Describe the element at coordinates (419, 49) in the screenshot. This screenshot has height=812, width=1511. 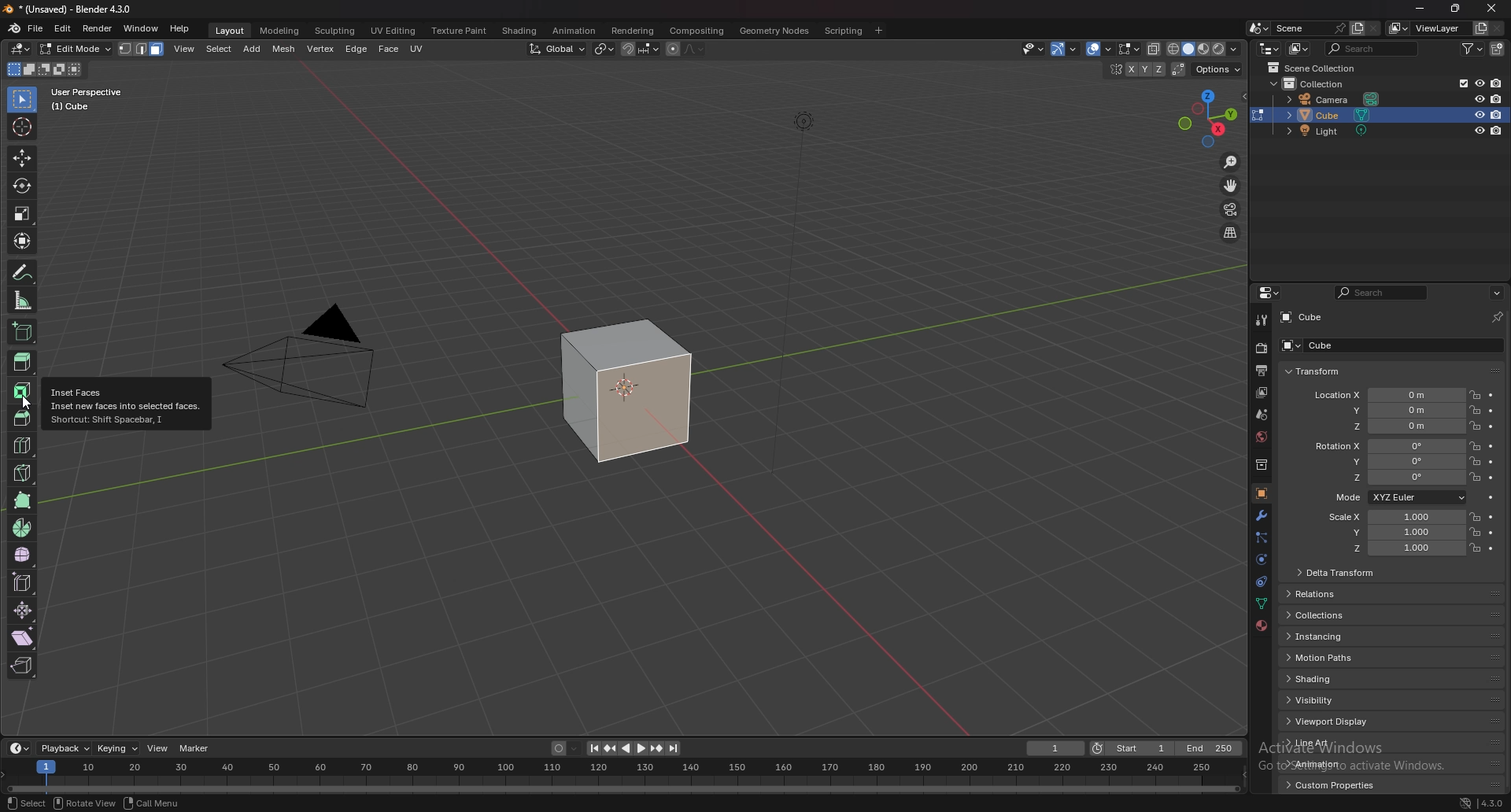
I see `uv` at that location.